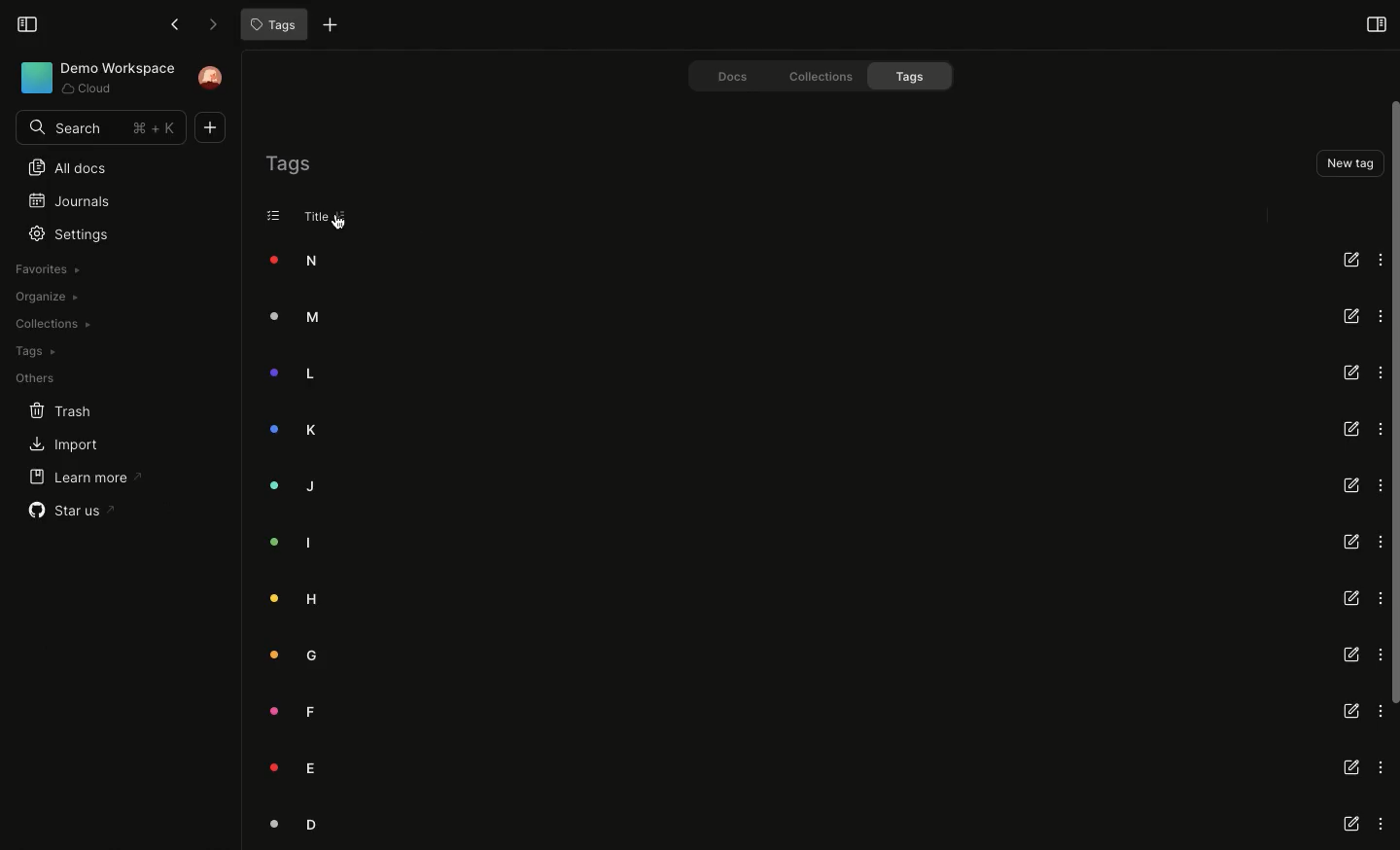 The image size is (1400, 850). Describe the element at coordinates (1379, 429) in the screenshot. I see `Options` at that location.